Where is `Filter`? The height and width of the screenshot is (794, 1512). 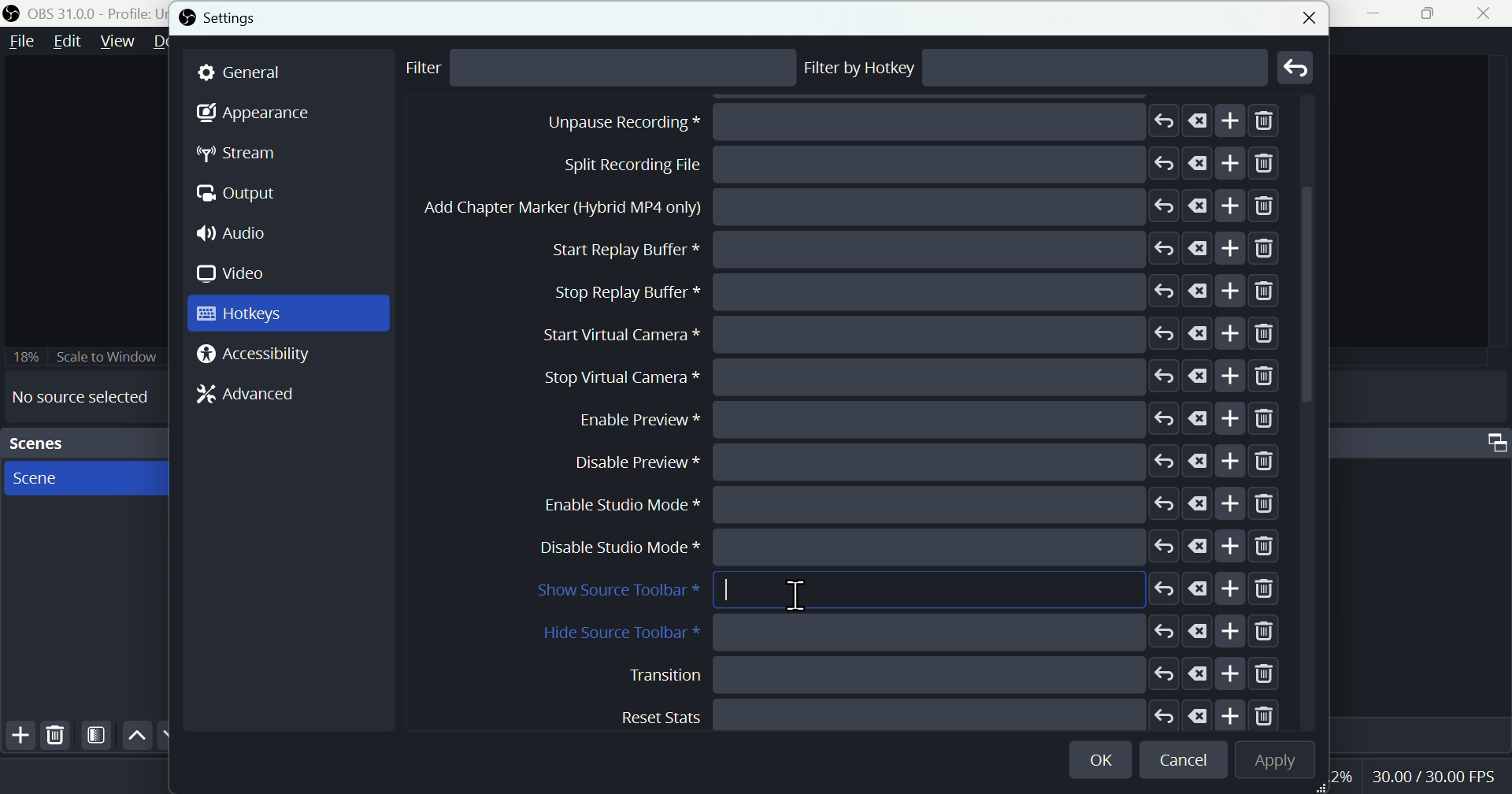 Filter is located at coordinates (97, 736).